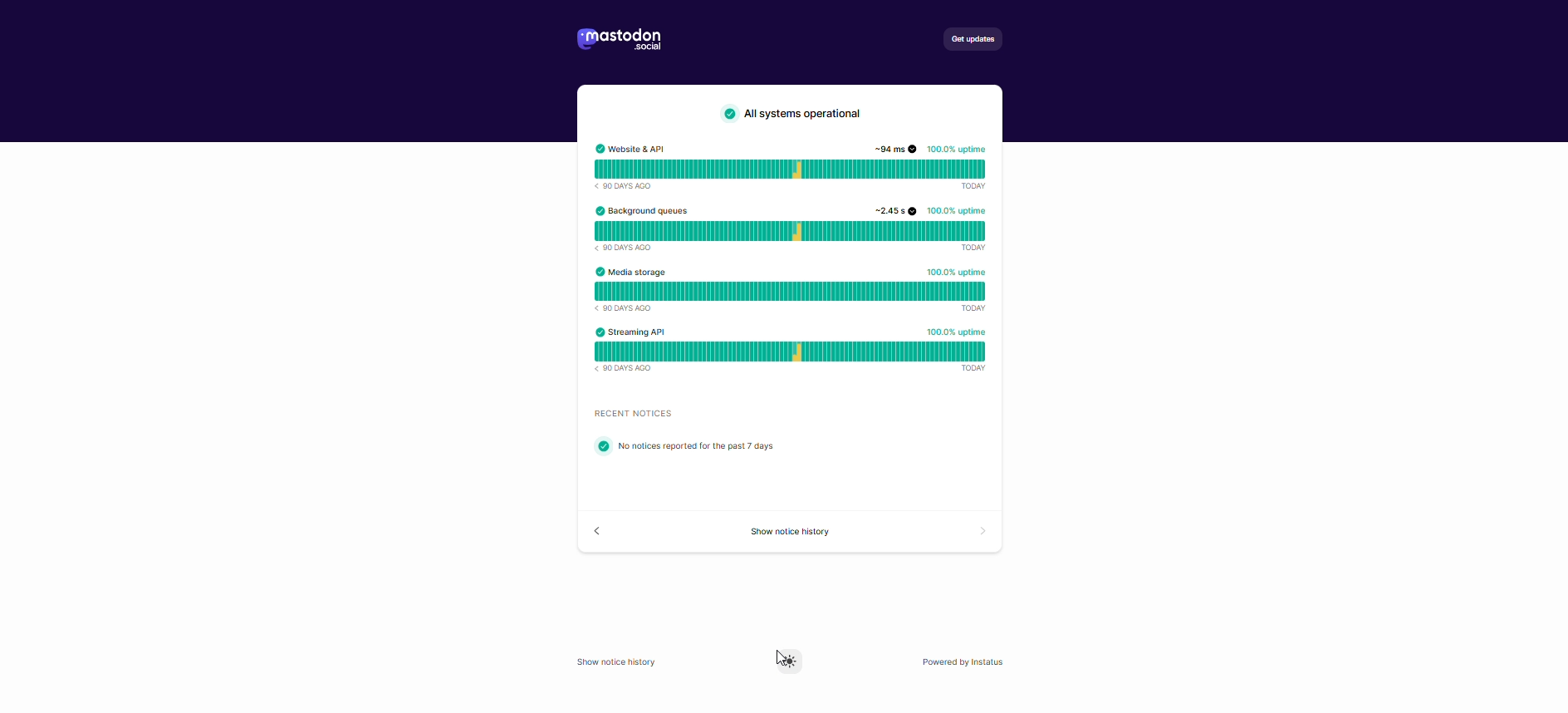 The image size is (1568, 713). What do you see at coordinates (971, 41) in the screenshot?
I see `get updates` at bounding box center [971, 41].